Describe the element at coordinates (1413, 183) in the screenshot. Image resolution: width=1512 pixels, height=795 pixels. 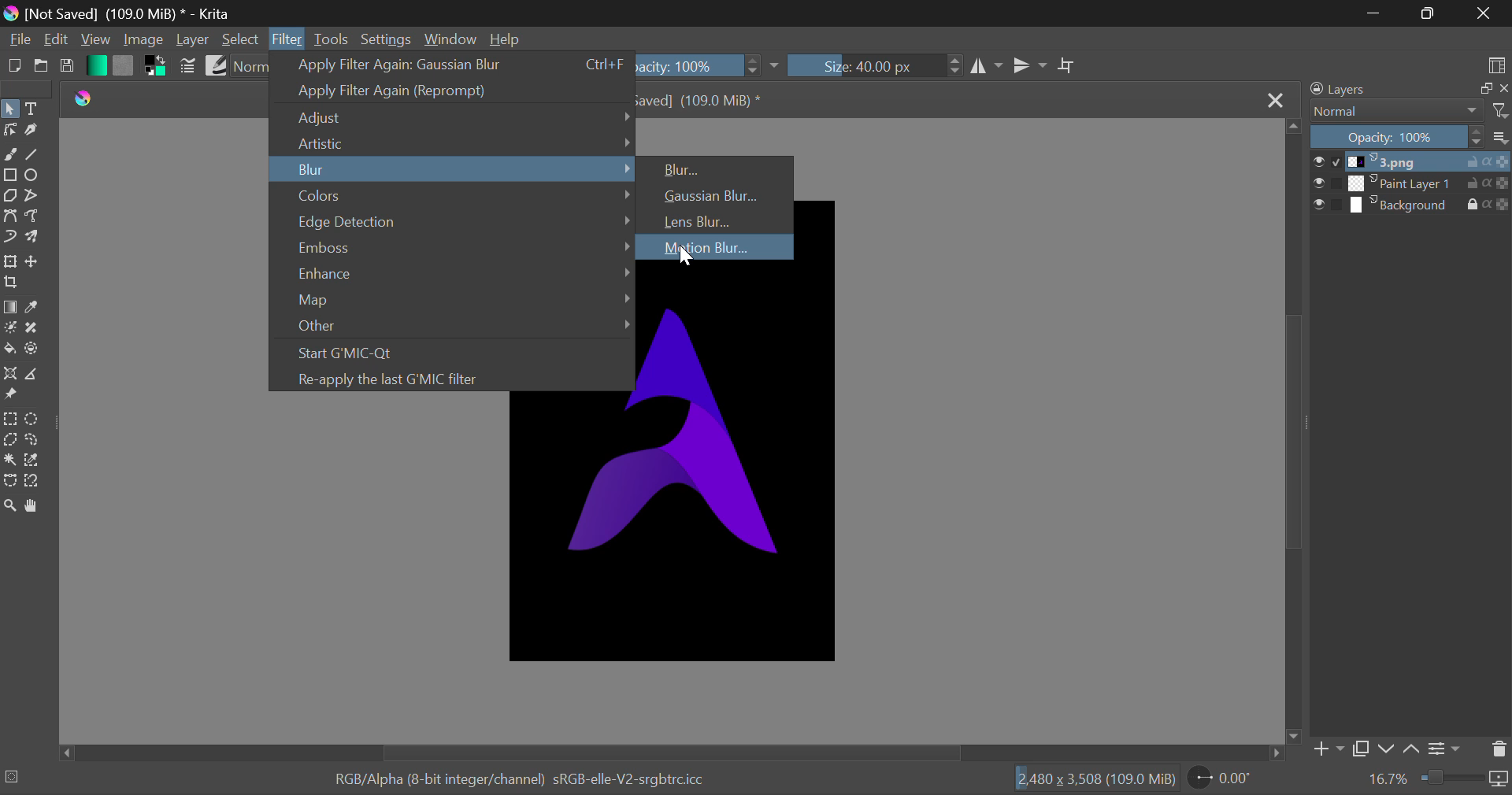
I see `Paint Layer 1` at that location.